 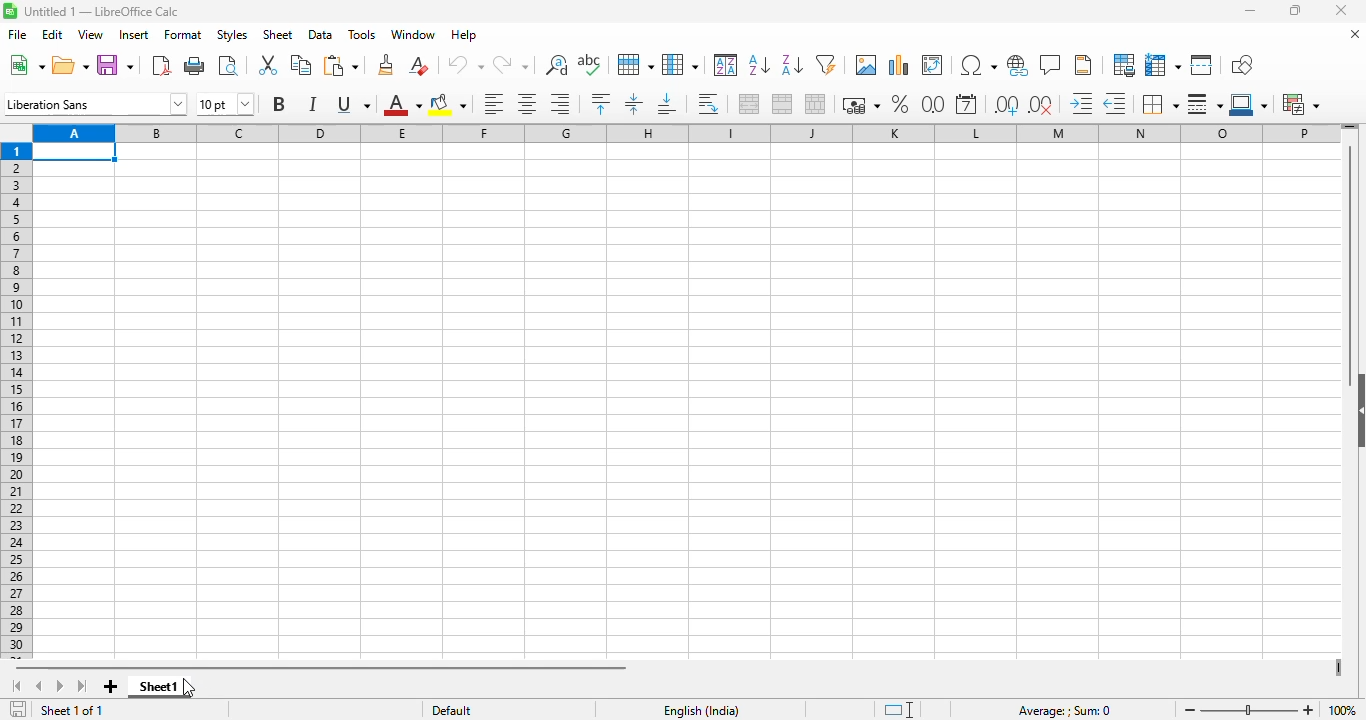 I want to click on sheet1, so click(x=156, y=686).